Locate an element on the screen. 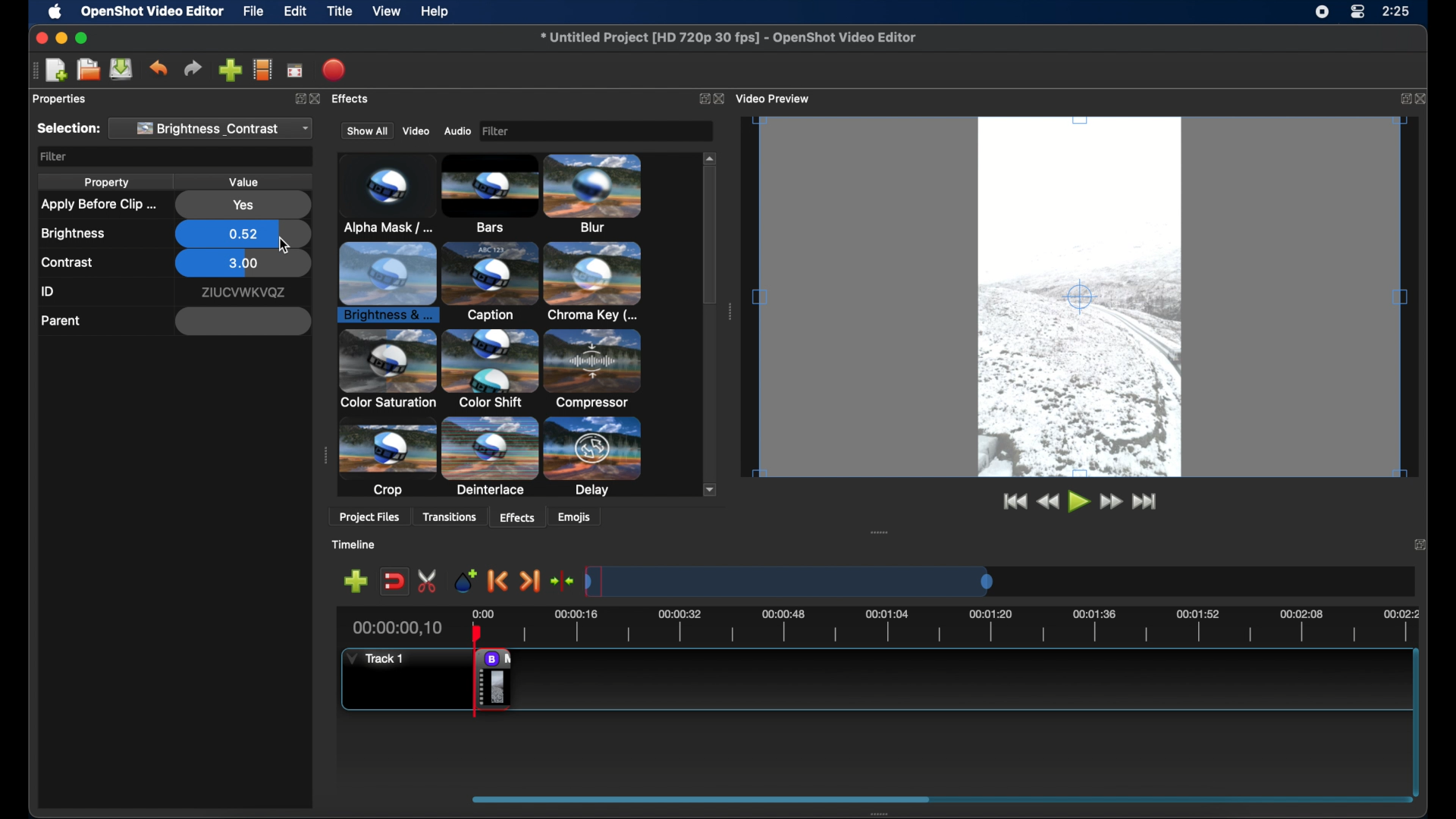 This screenshot has height=819, width=1456. blur is located at coordinates (483, 193).